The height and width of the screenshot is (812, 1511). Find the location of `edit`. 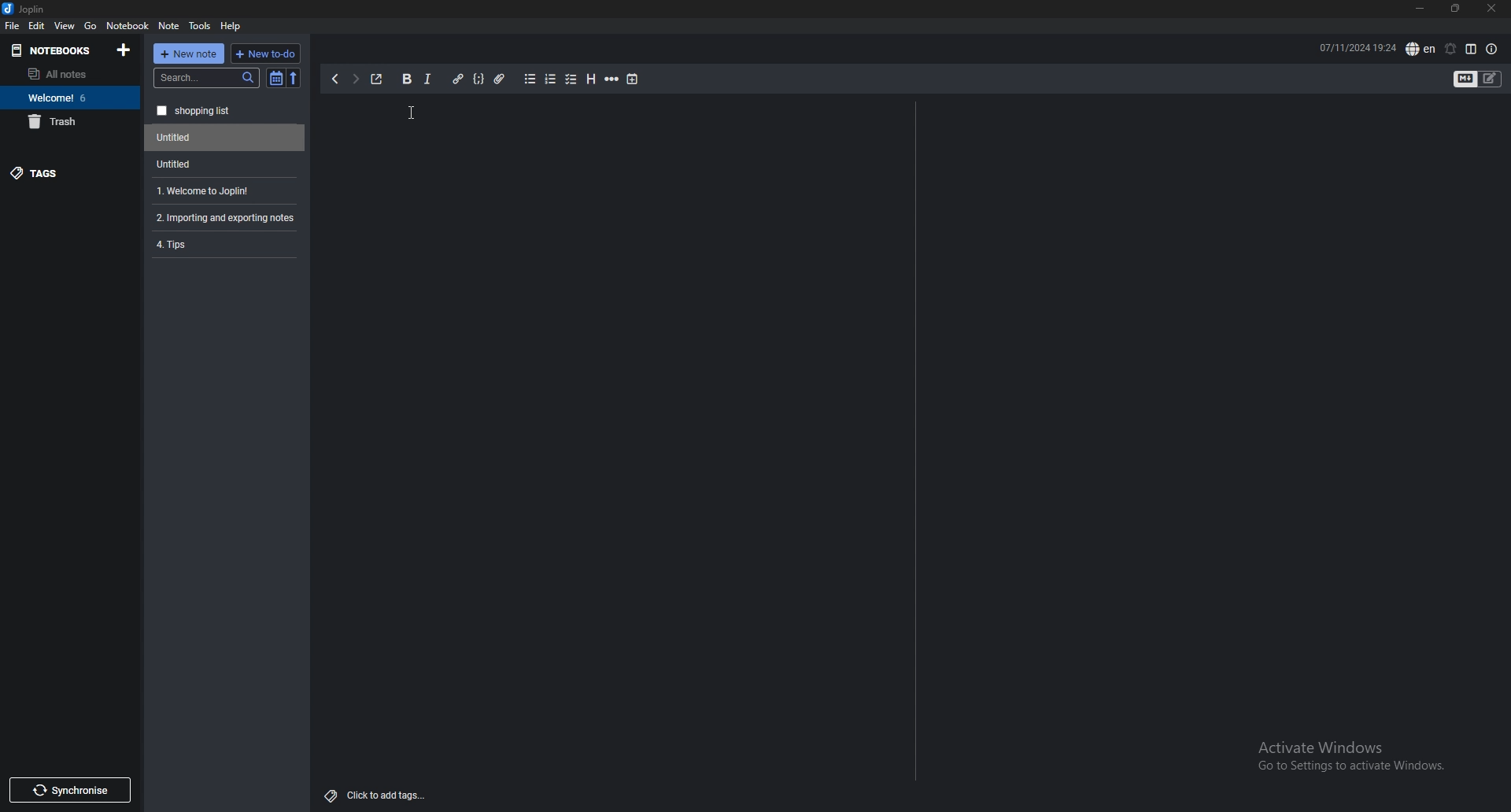

edit is located at coordinates (36, 26).